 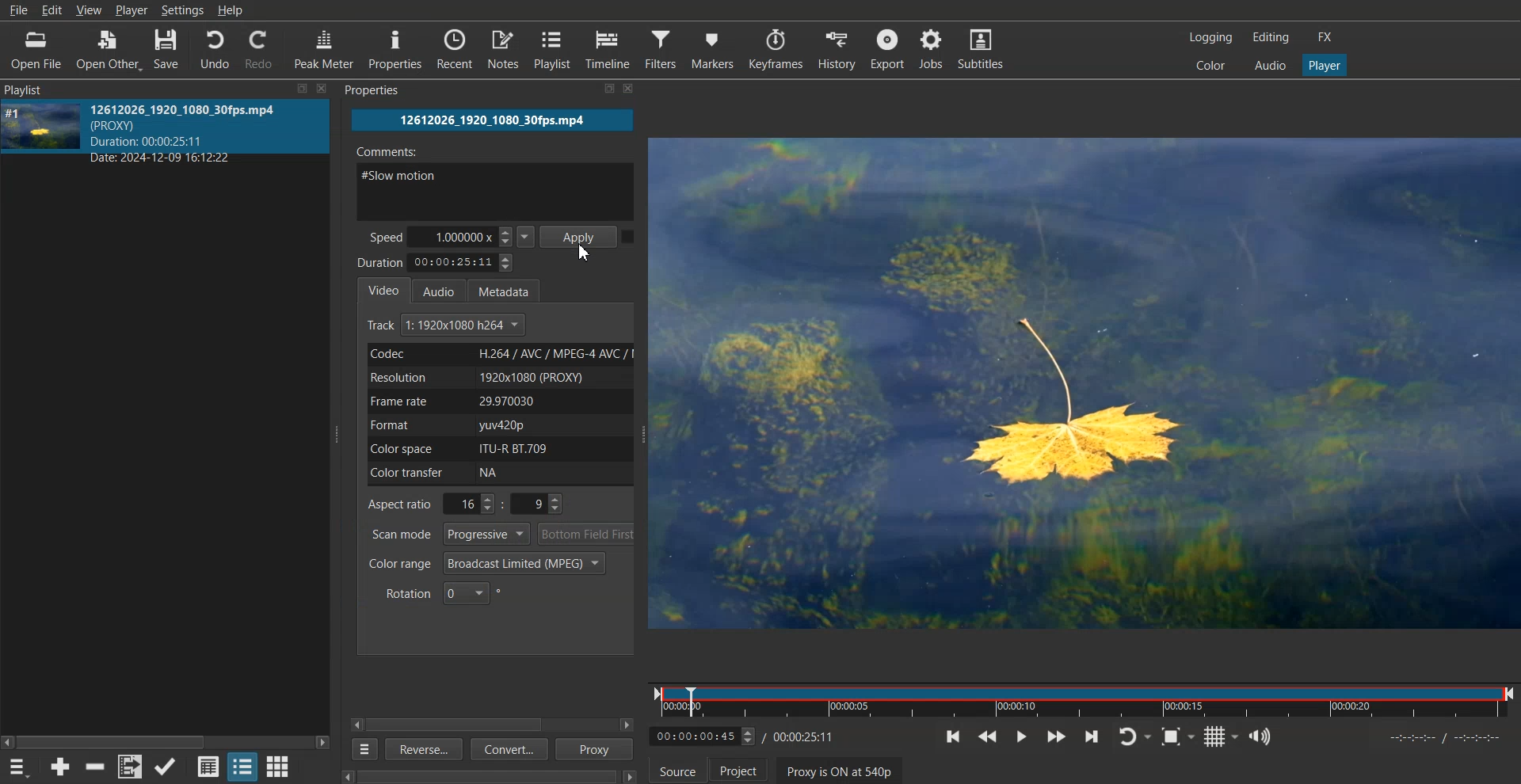 What do you see at coordinates (60, 766) in the screenshot?
I see `Add source to the playlist` at bounding box center [60, 766].